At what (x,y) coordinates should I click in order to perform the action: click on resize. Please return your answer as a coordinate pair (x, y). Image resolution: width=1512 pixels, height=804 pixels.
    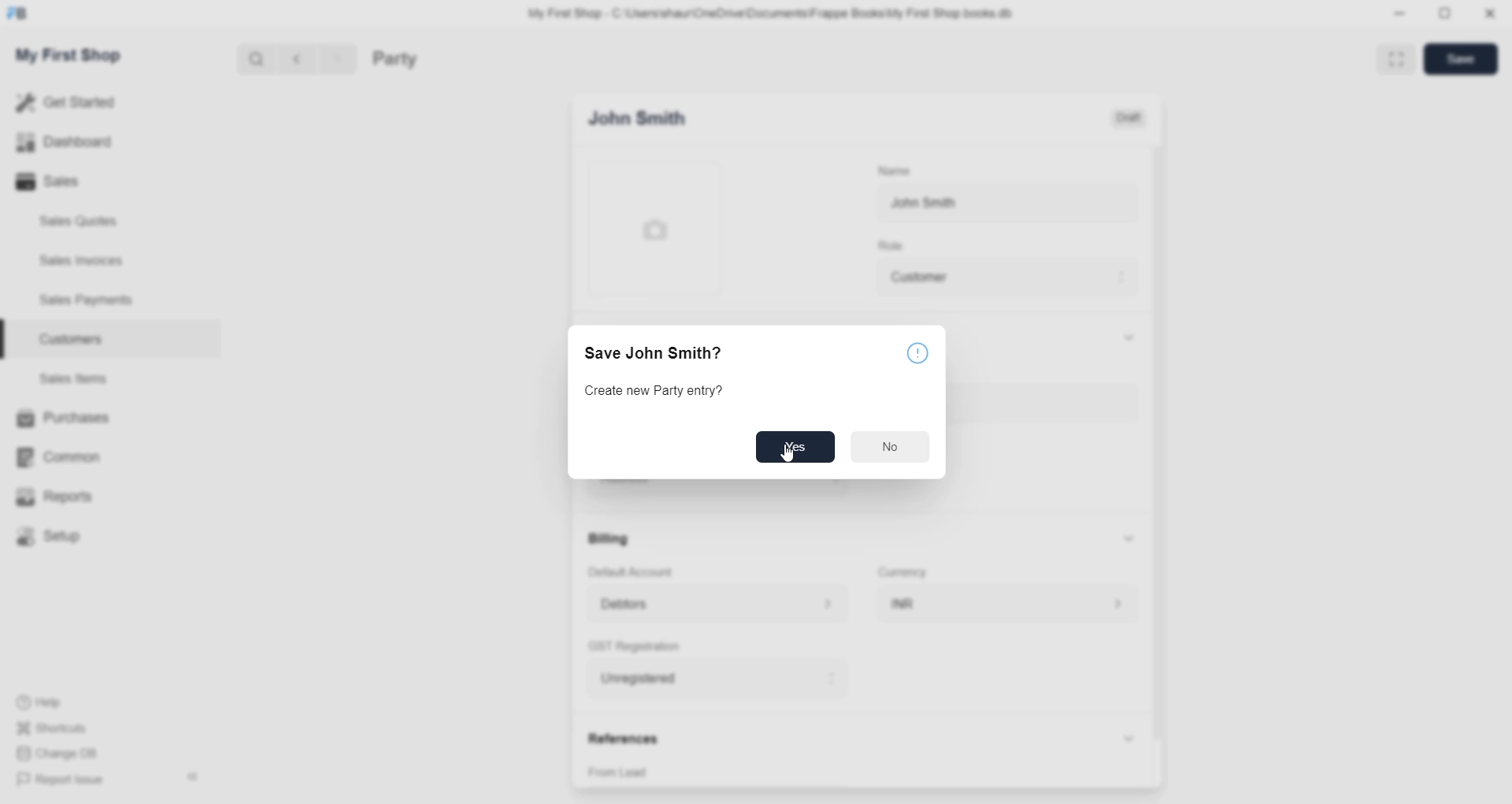
    Looking at the image, I should click on (1447, 16).